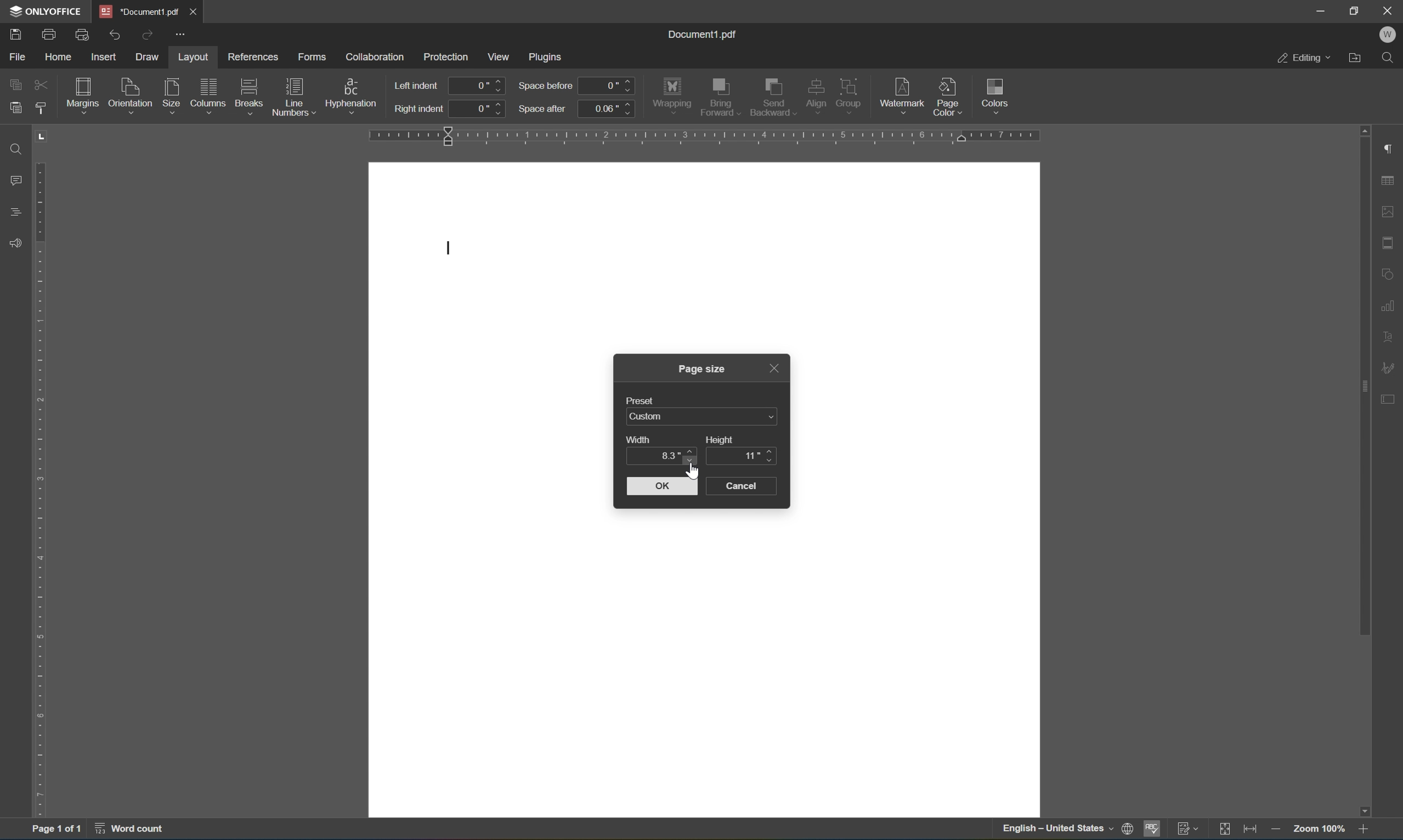 Image resolution: width=1403 pixels, height=840 pixels. What do you see at coordinates (38, 490) in the screenshot?
I see `ruler` at bounding box center [38, 490].